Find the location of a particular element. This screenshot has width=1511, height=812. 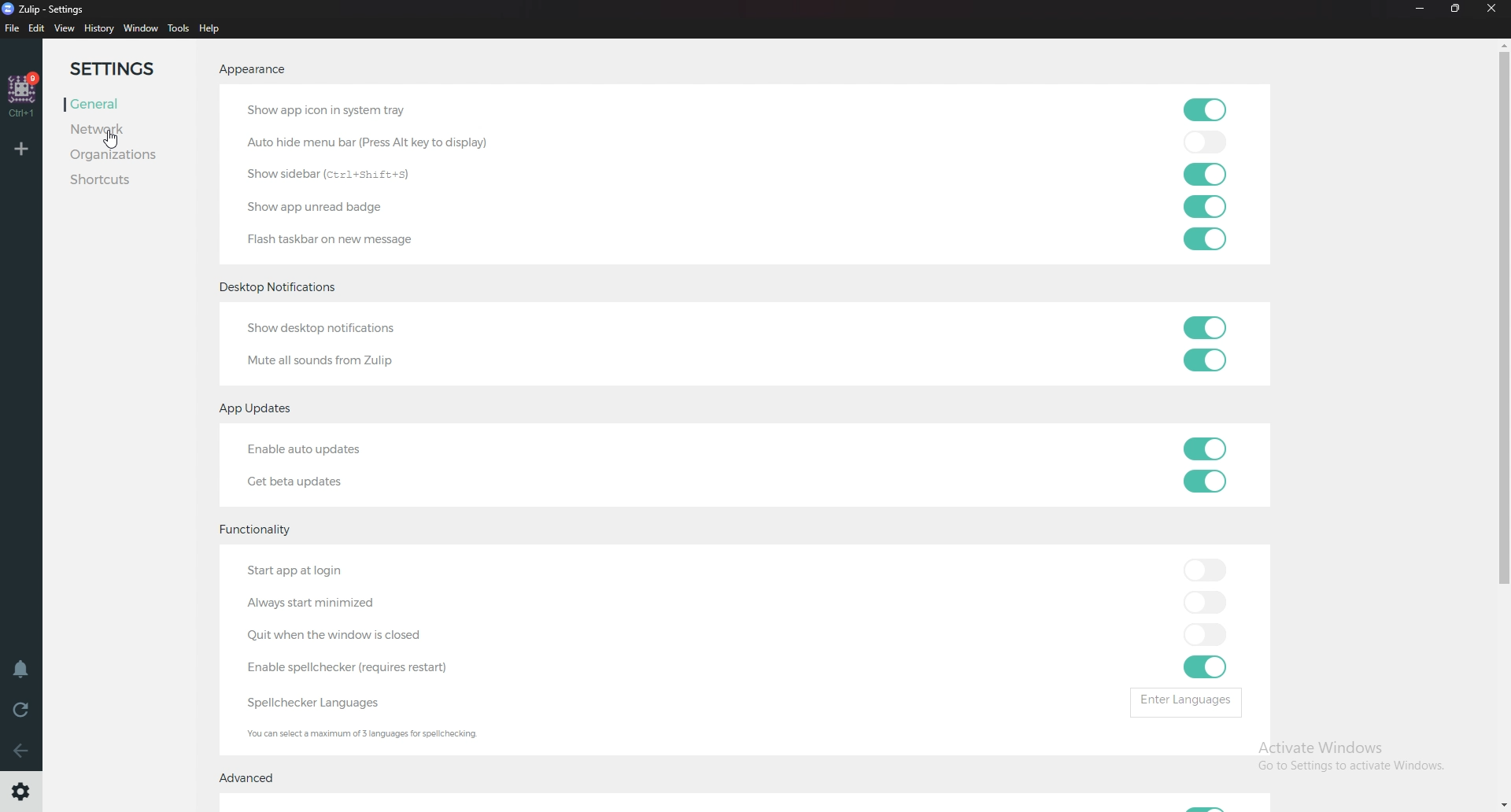

toggle is located at coordinates (1205, 447).